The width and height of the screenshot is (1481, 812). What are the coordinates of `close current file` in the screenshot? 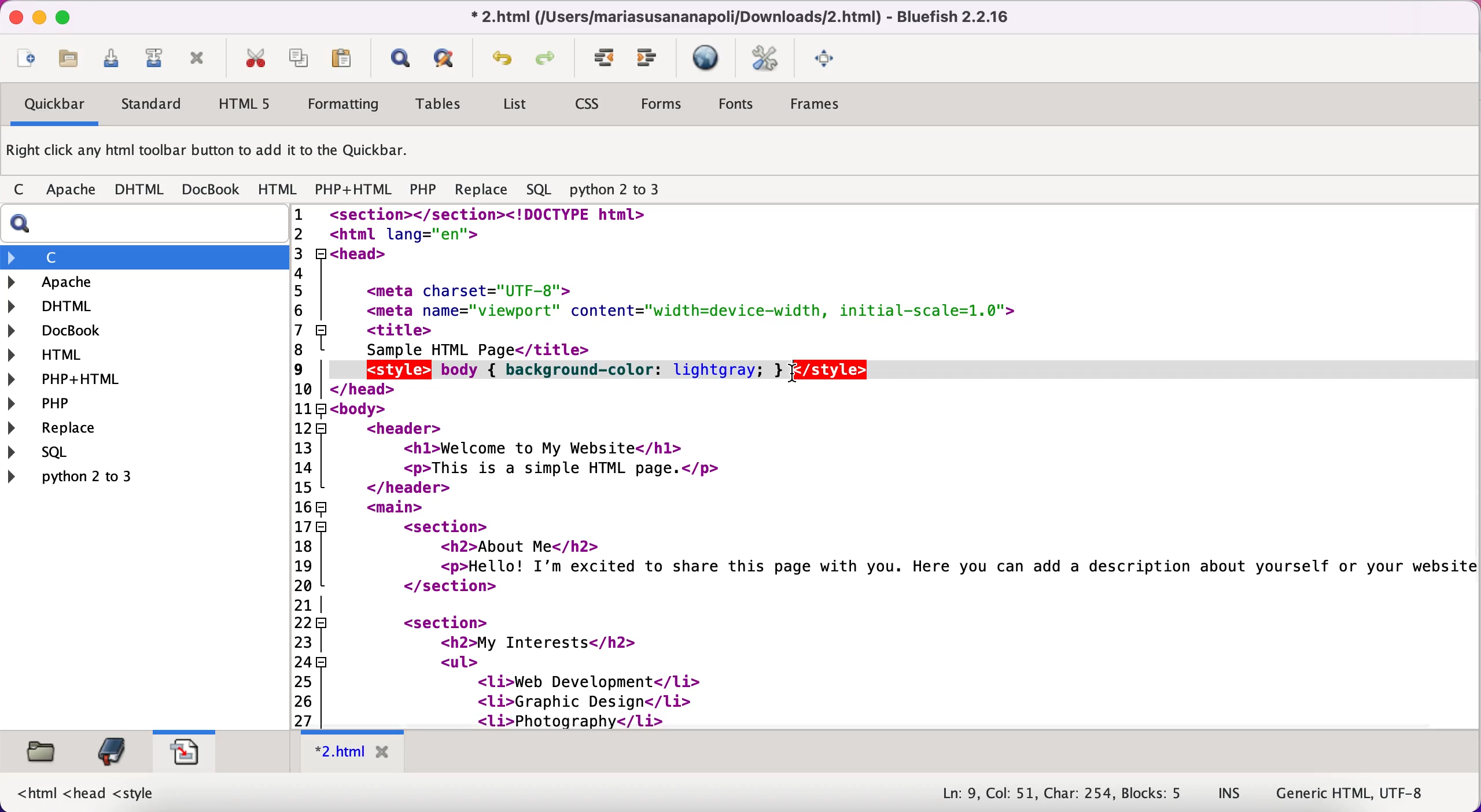 It's located at (197, 60).